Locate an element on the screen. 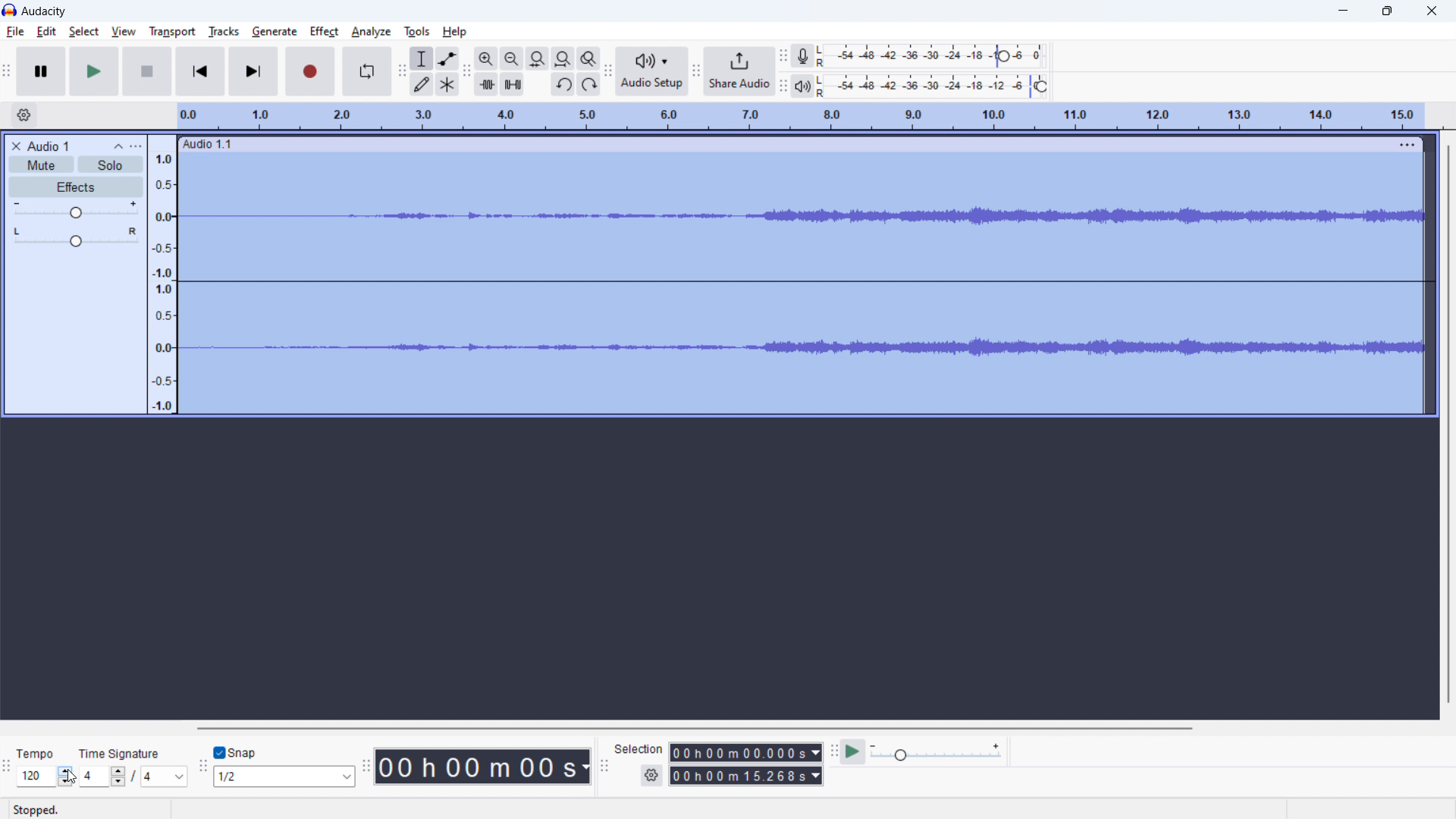 Image resolution: width=1456 pixels, height=819 pixels. pause is located at coordinates (41, 71).